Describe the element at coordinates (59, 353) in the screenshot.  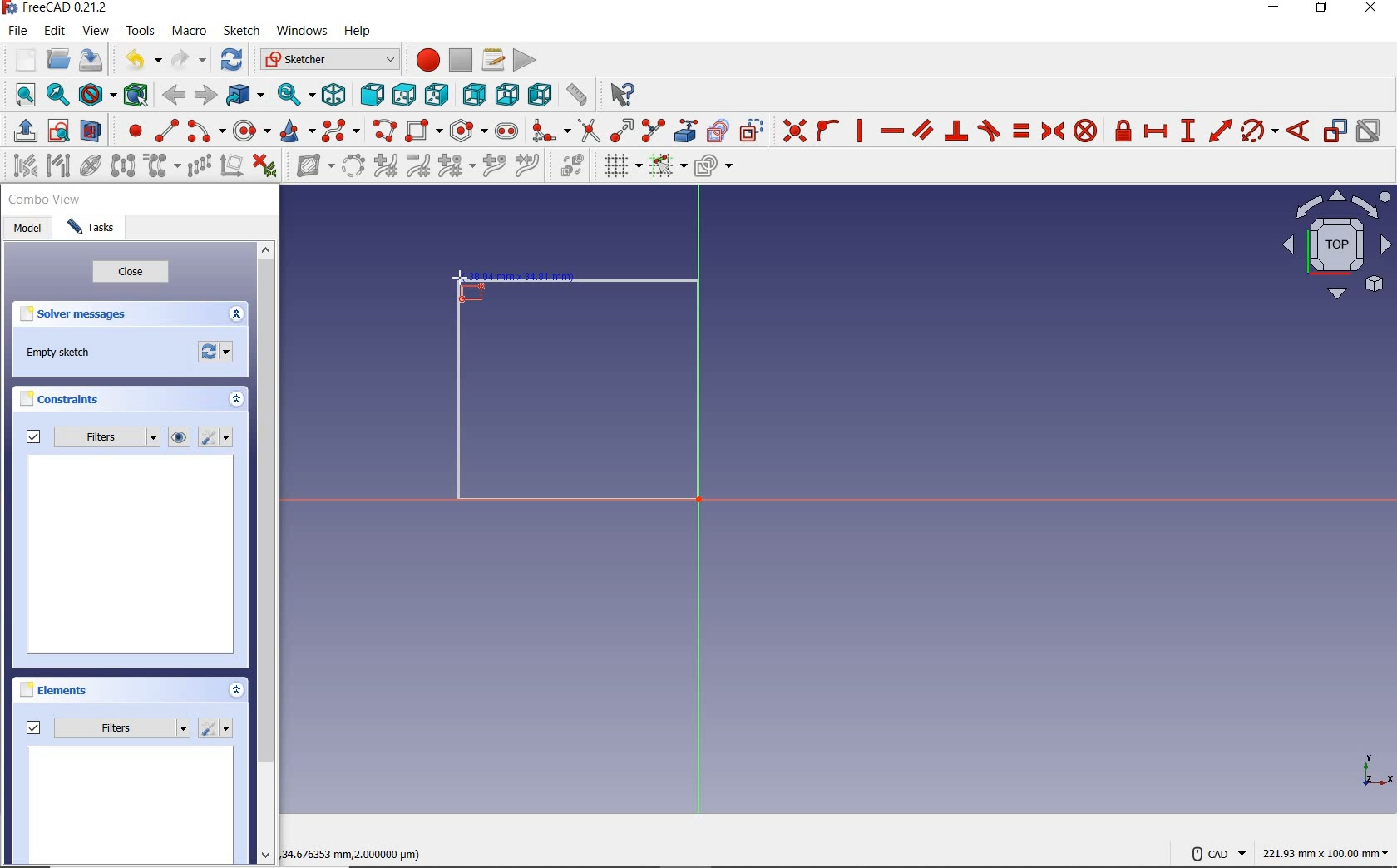
I see `empty sketch` at that location.